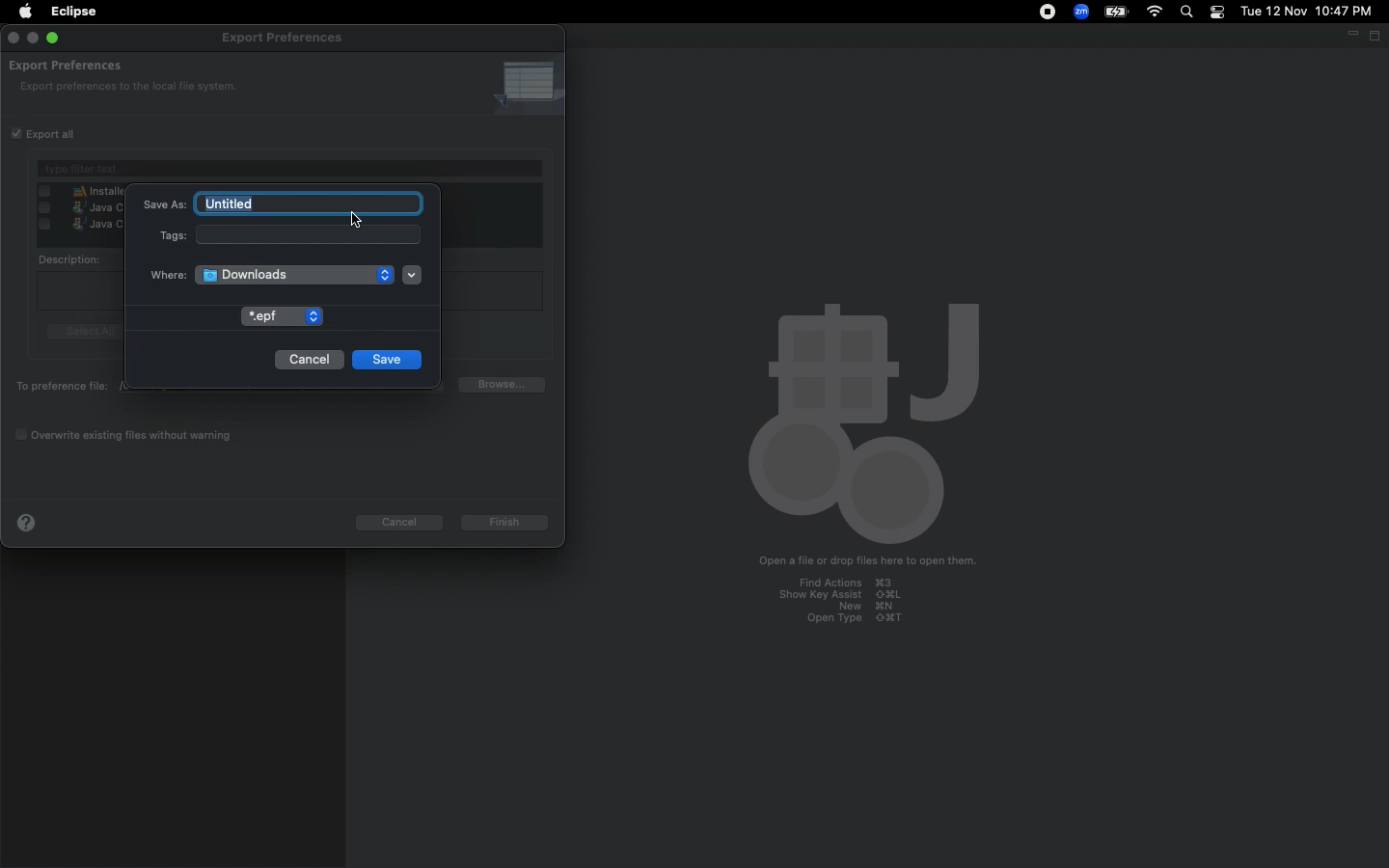 Image resolution: width=1389 pixels, height=868 pixels. Describe the element at coordinates (75, 14) in the screenshot. I see `Eclipse` at that location.